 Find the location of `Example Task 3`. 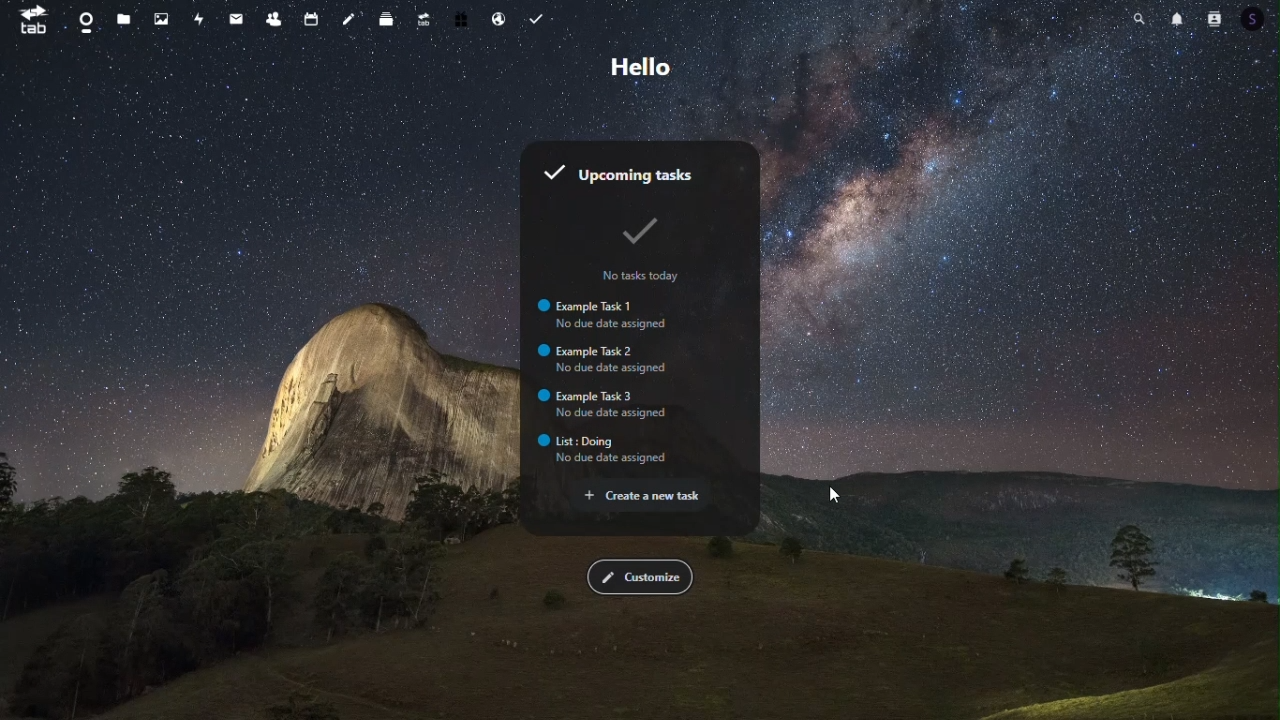

Example Task 3 is located at coordinates (608, 404).